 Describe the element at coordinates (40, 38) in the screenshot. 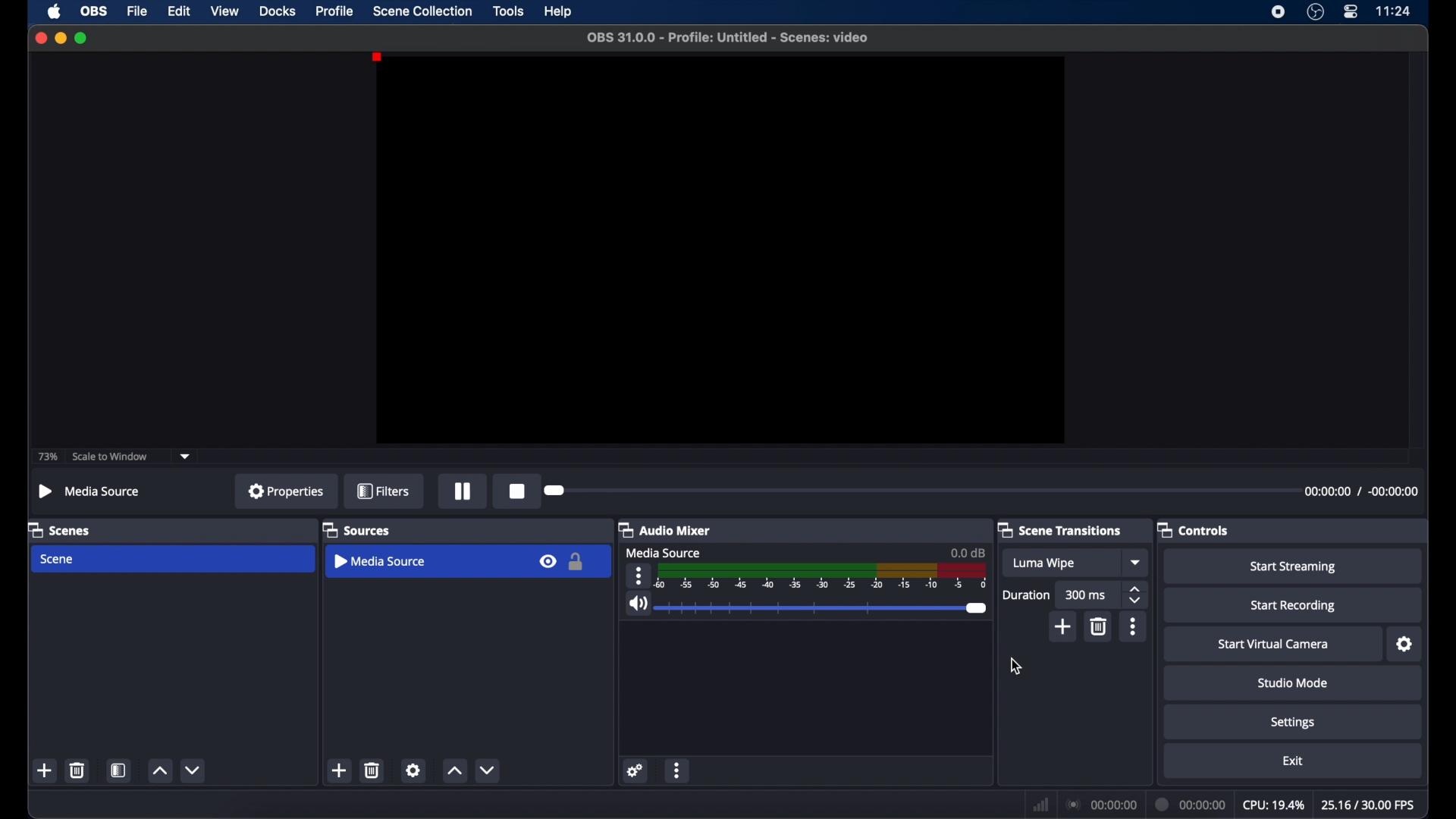

I see `close` at that location.